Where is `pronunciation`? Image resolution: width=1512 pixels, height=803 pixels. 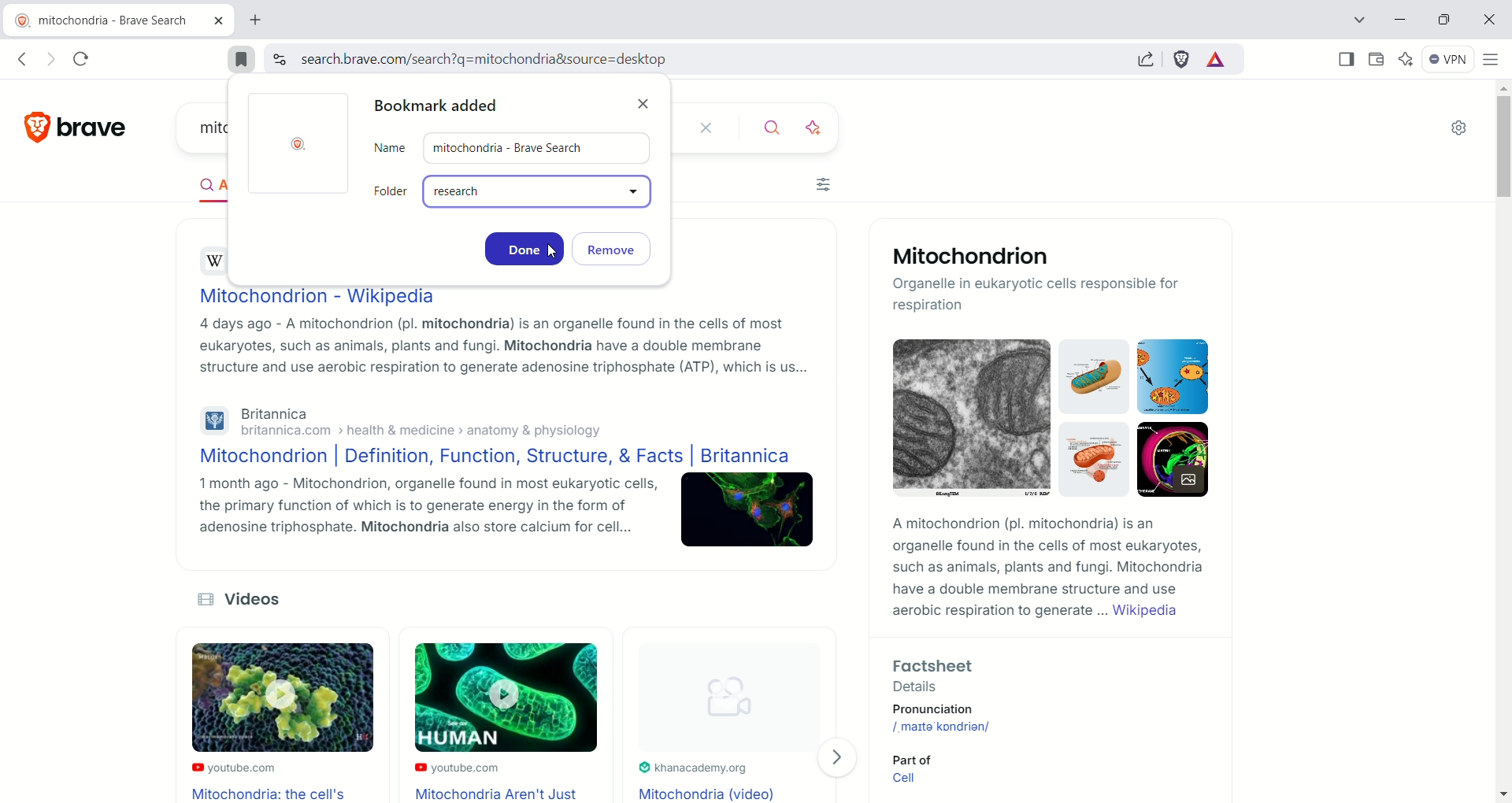 pronunciation is located at coordinates (956, 709).